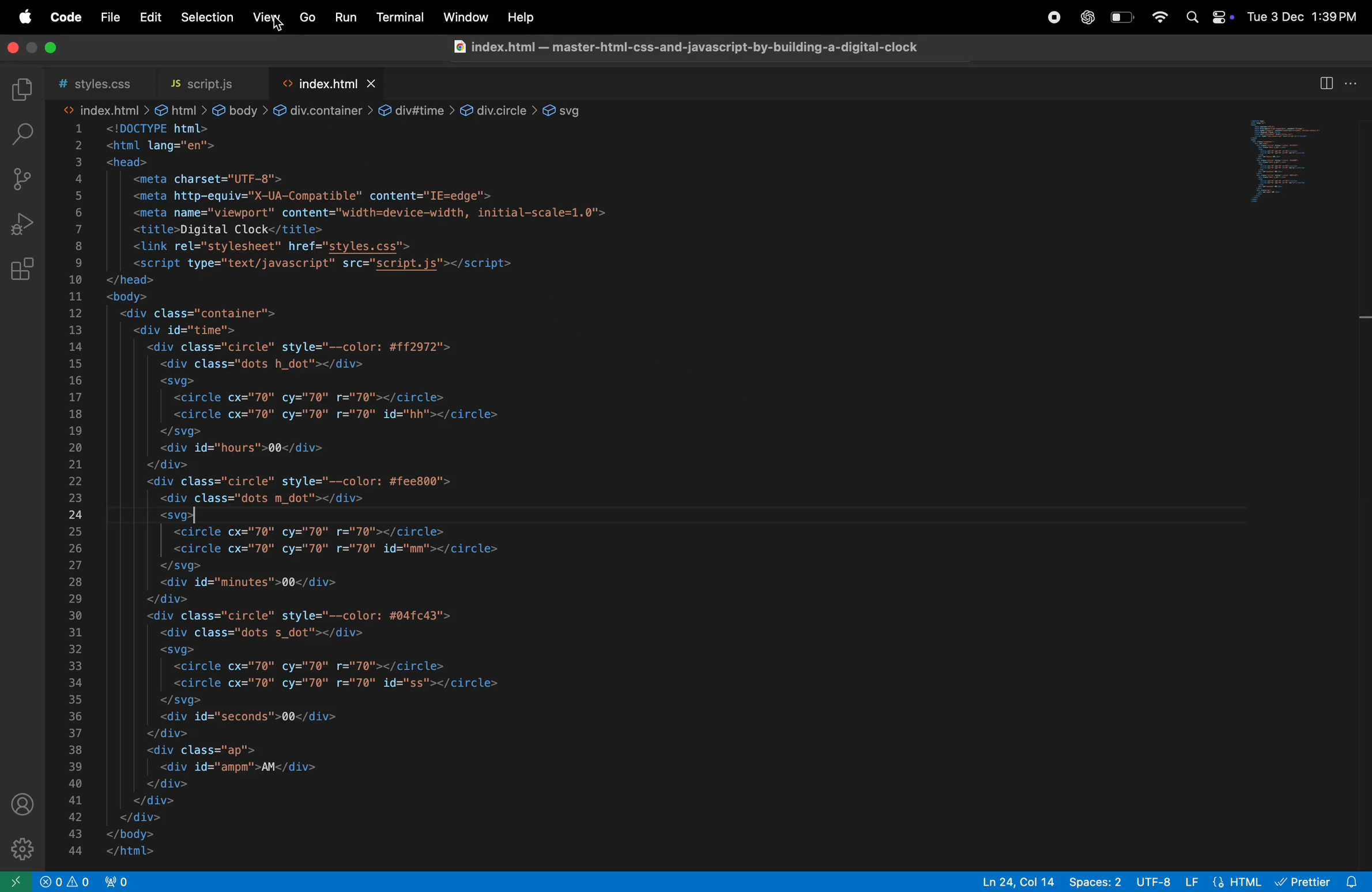 This screenshot has height=892, width=1372. I want to click on soource control, so click(22, 180).